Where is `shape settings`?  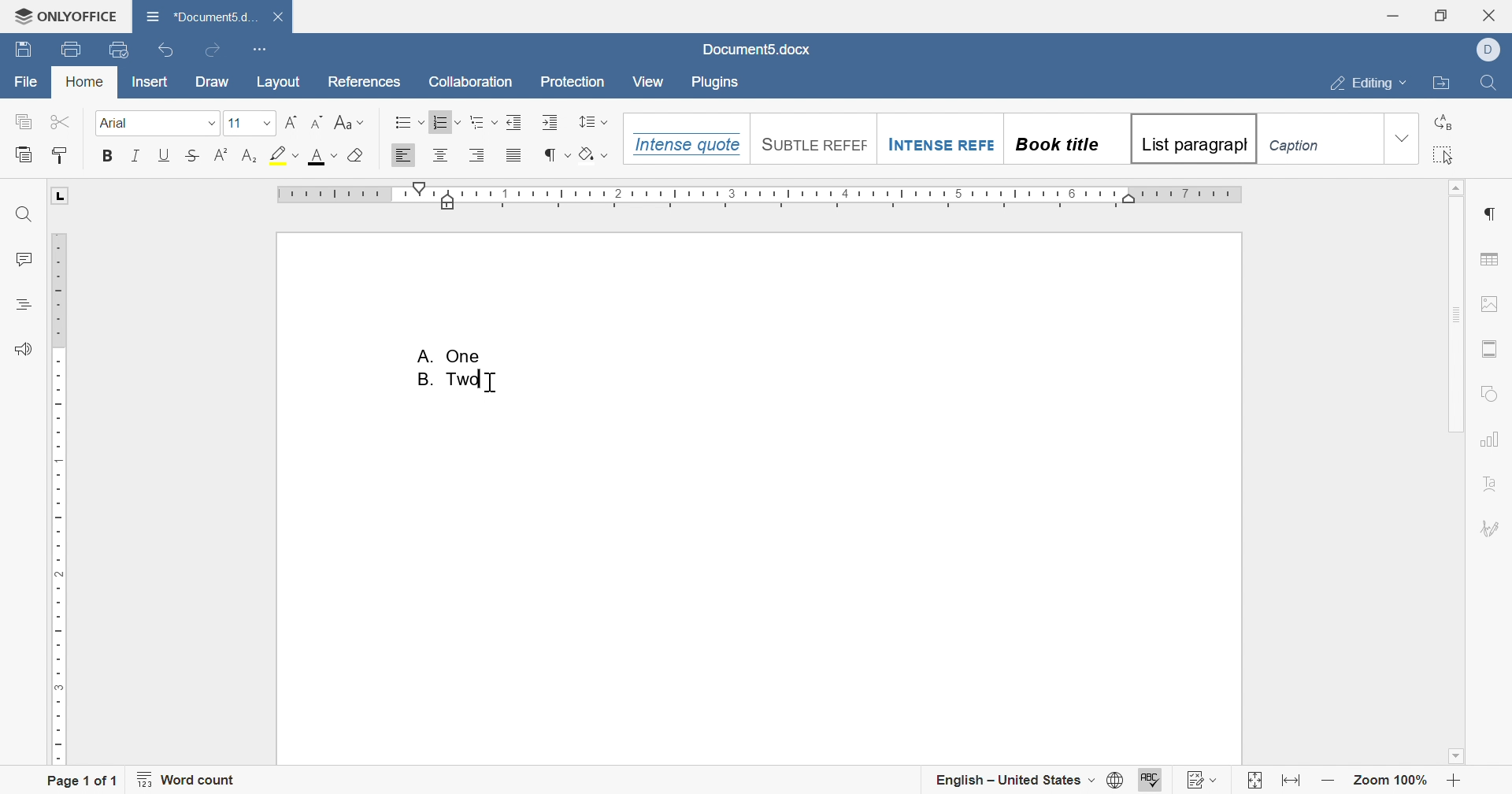
shape settings is located at coordinates (1487, 392).